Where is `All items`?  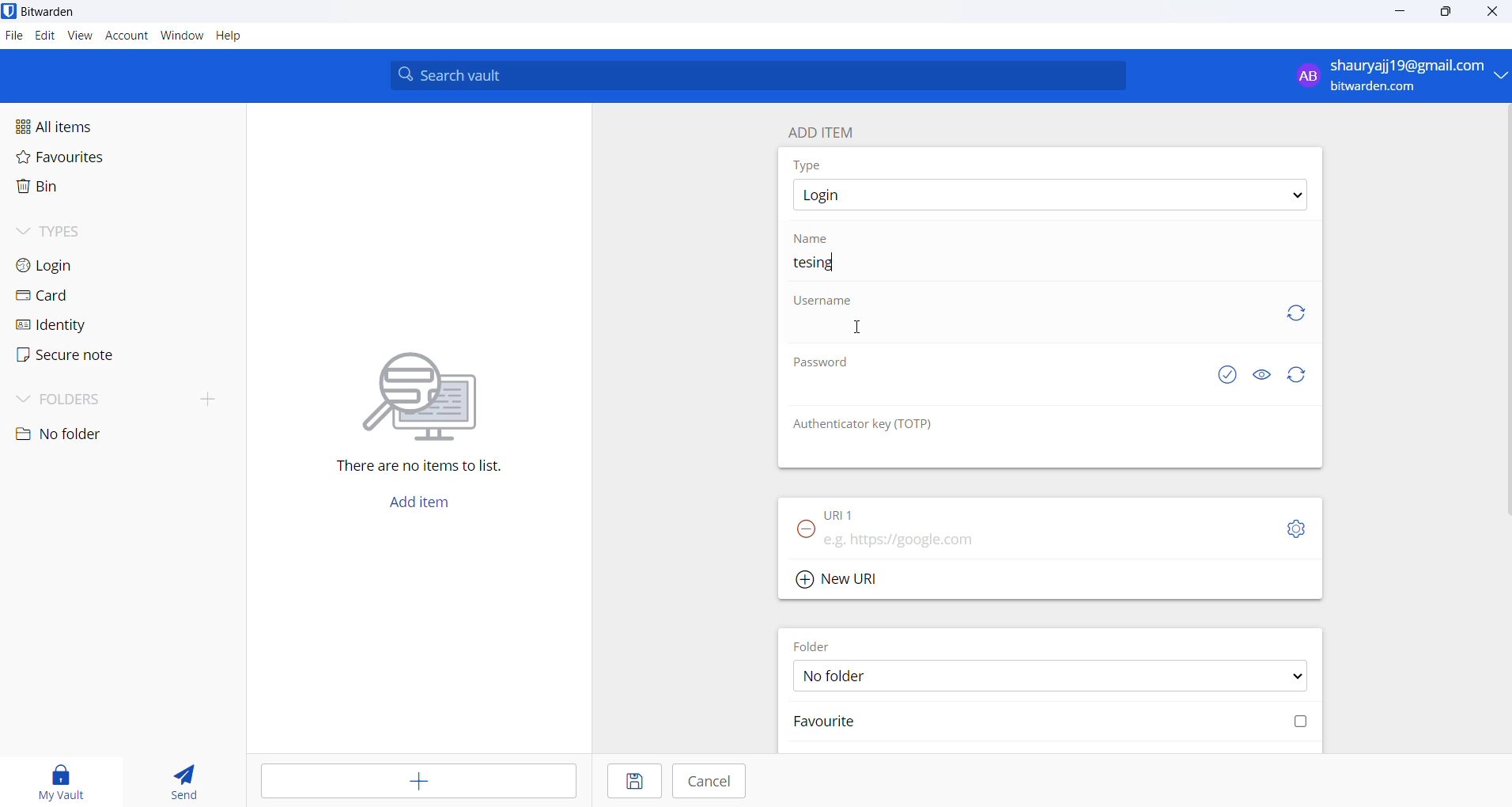 All items is located at coordinates (90, 125).